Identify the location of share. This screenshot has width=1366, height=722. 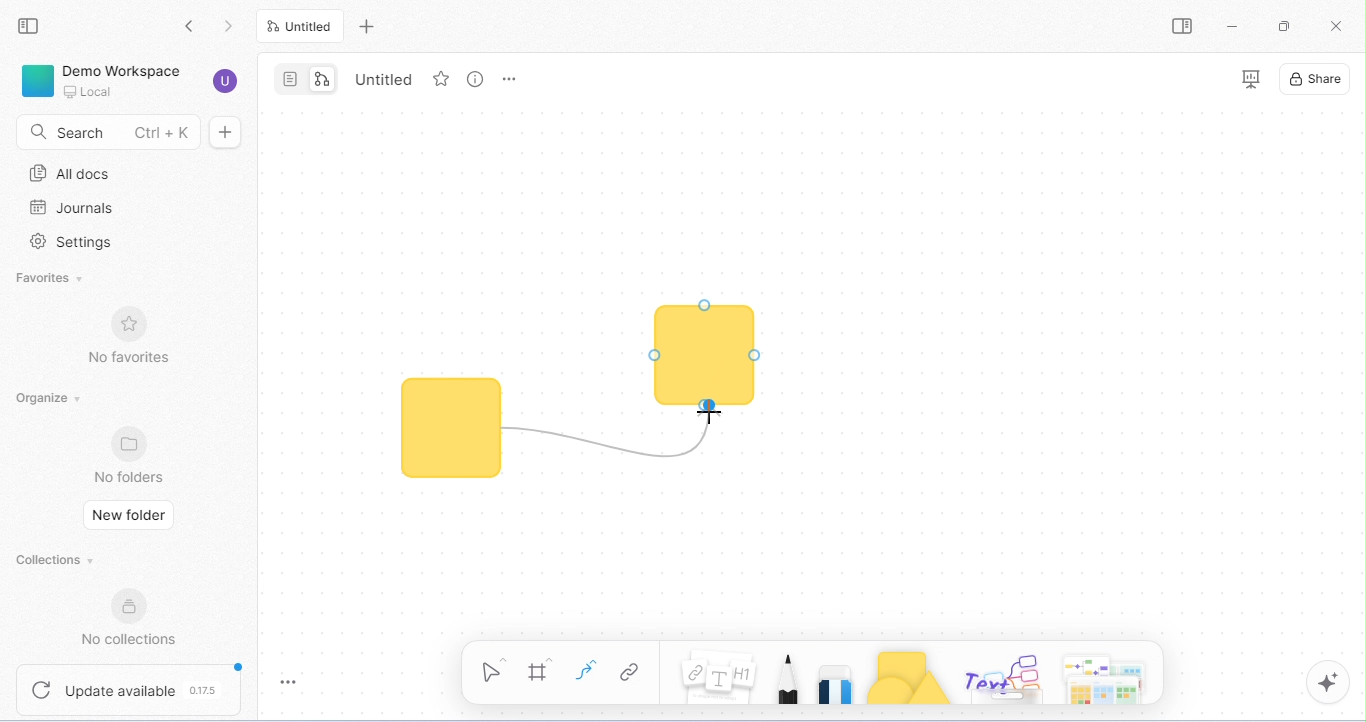
(1319, 81).